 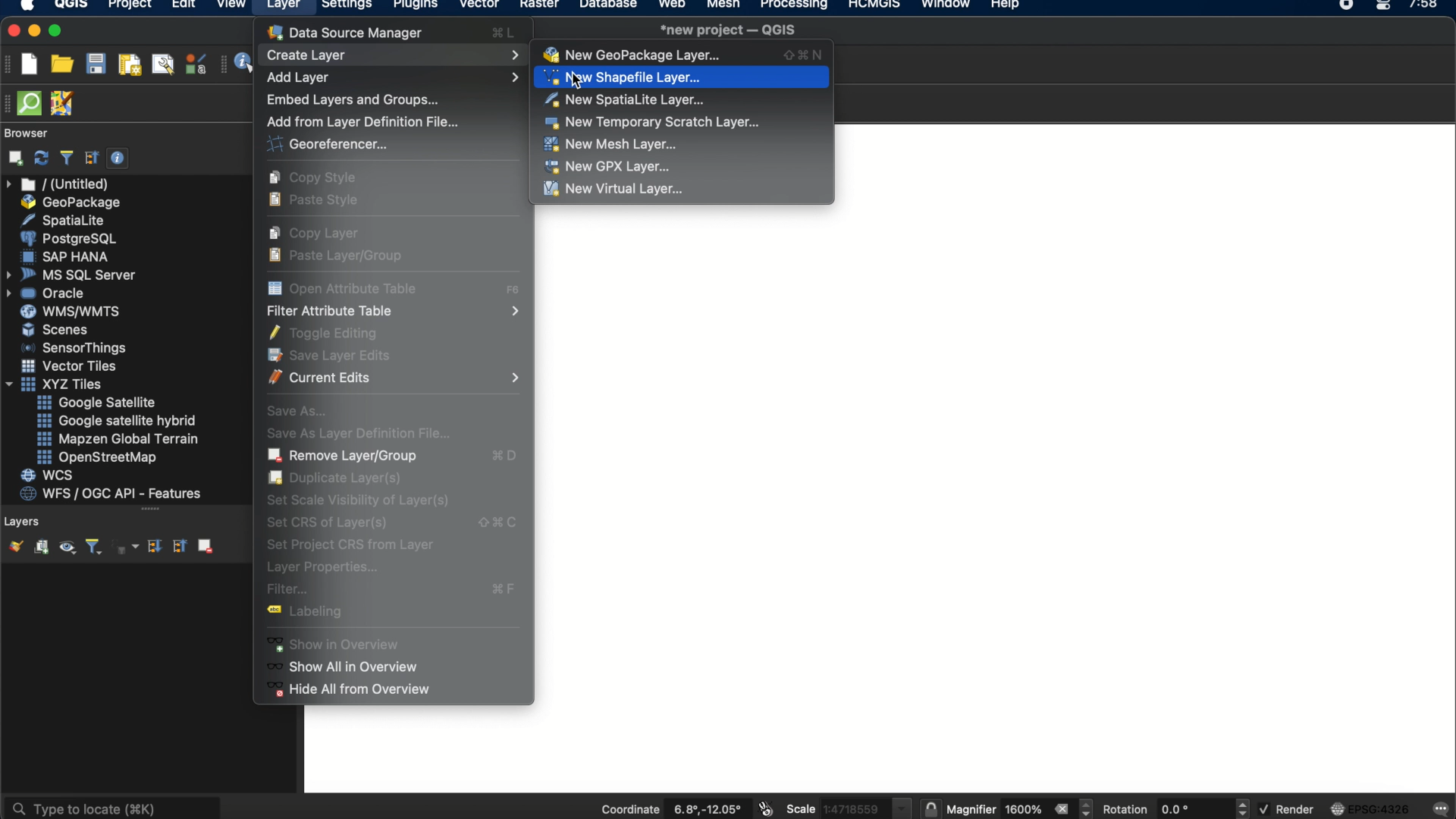 What do you see at coordinates (397, 378) in the screenshot?
I see `current edits` at bounding box center [397, 378].